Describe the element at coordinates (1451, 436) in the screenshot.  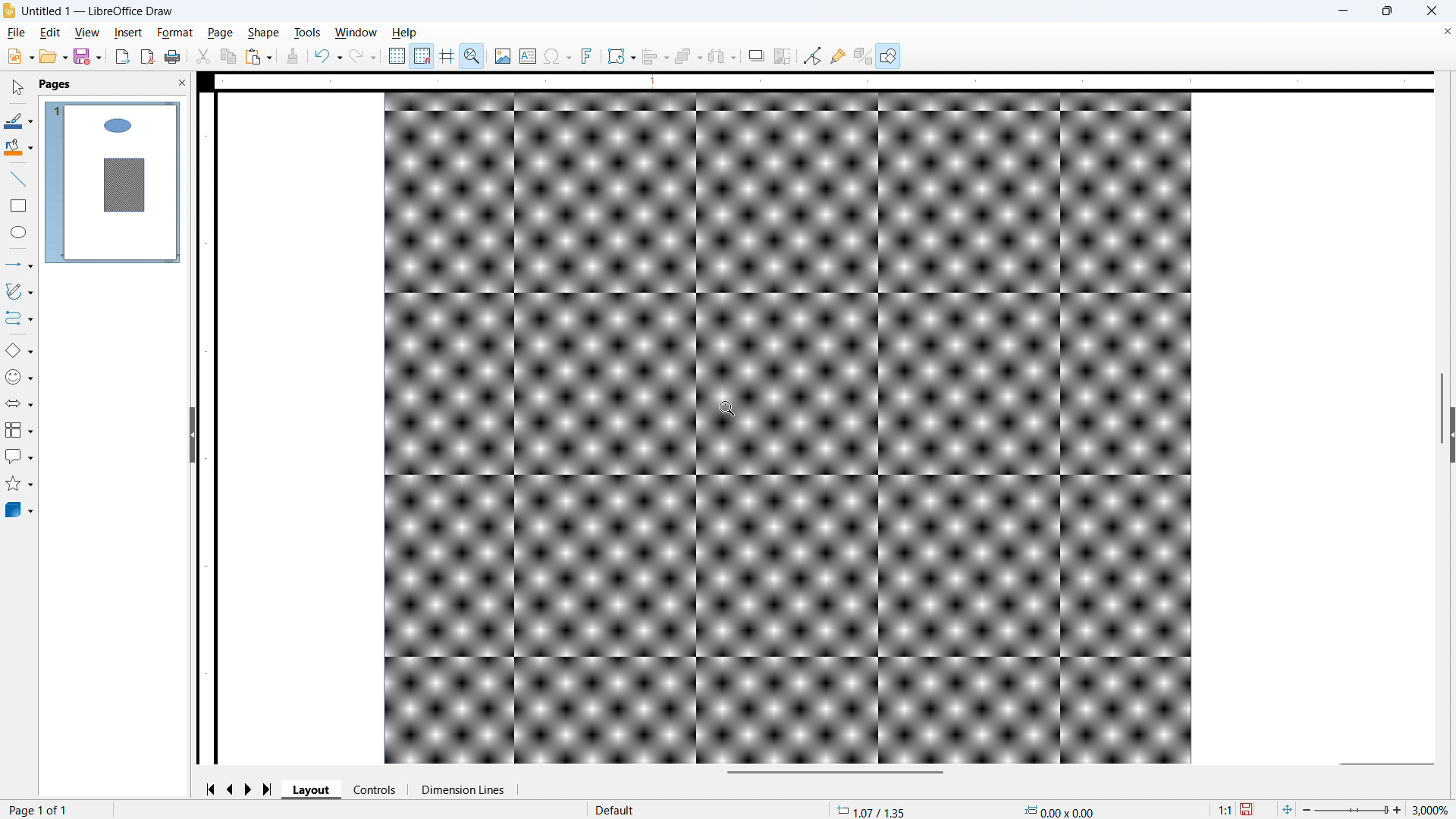
I see `Expand panel ` at that location.